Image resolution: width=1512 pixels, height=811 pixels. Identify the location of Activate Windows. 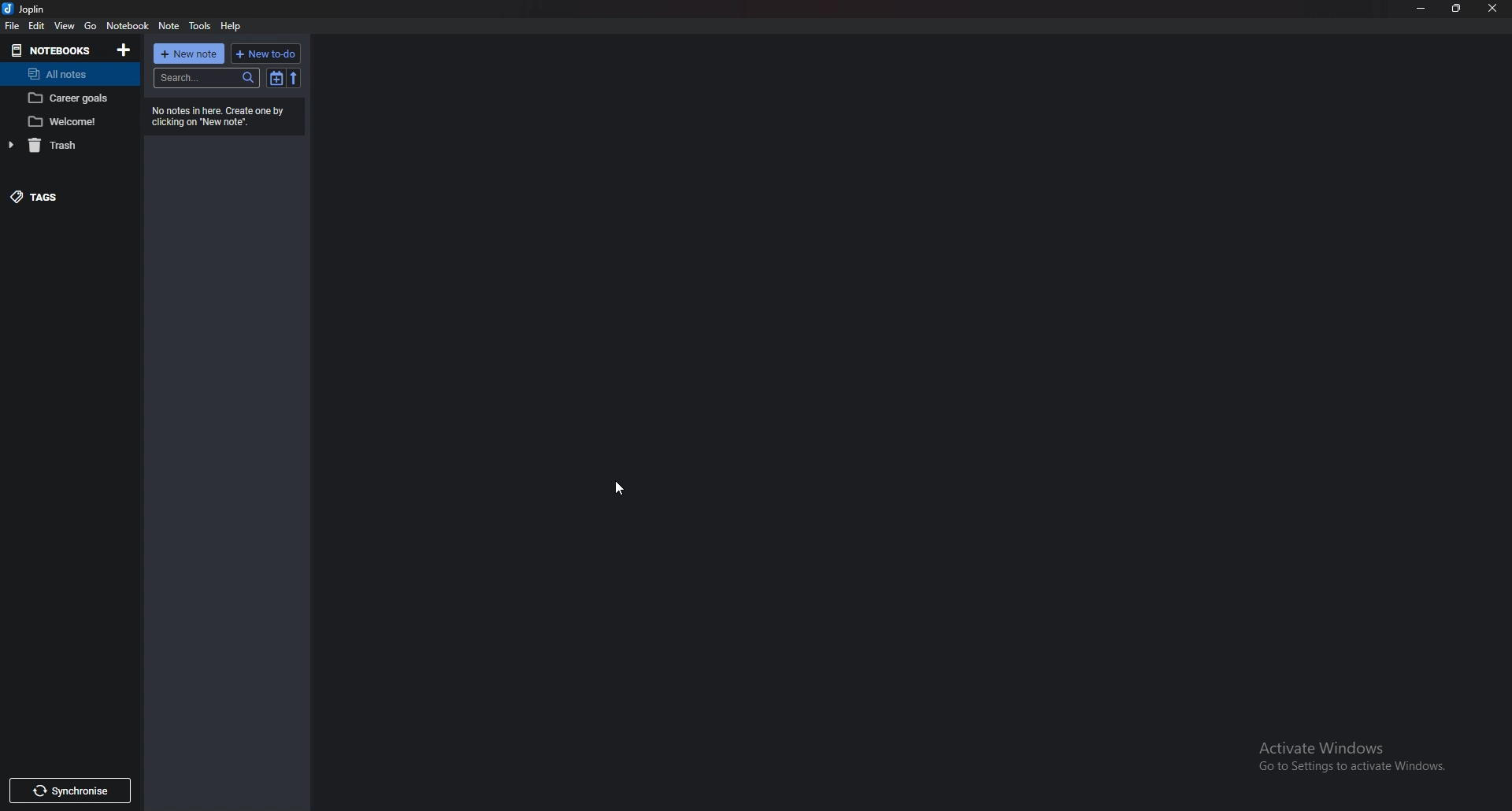
(1345, 756).